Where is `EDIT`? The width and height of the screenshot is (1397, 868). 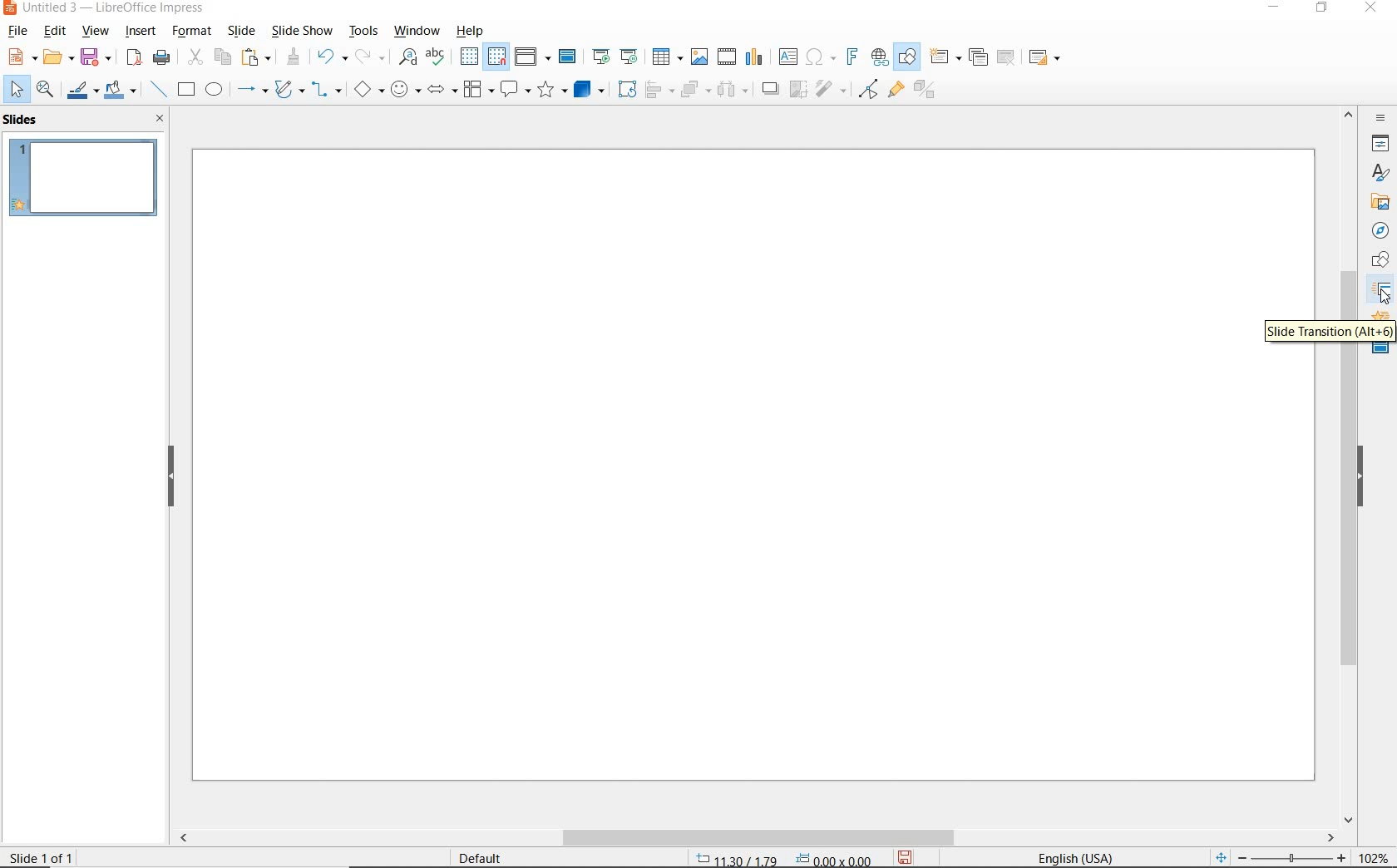
EDIT is located at coordinates (53, 33).